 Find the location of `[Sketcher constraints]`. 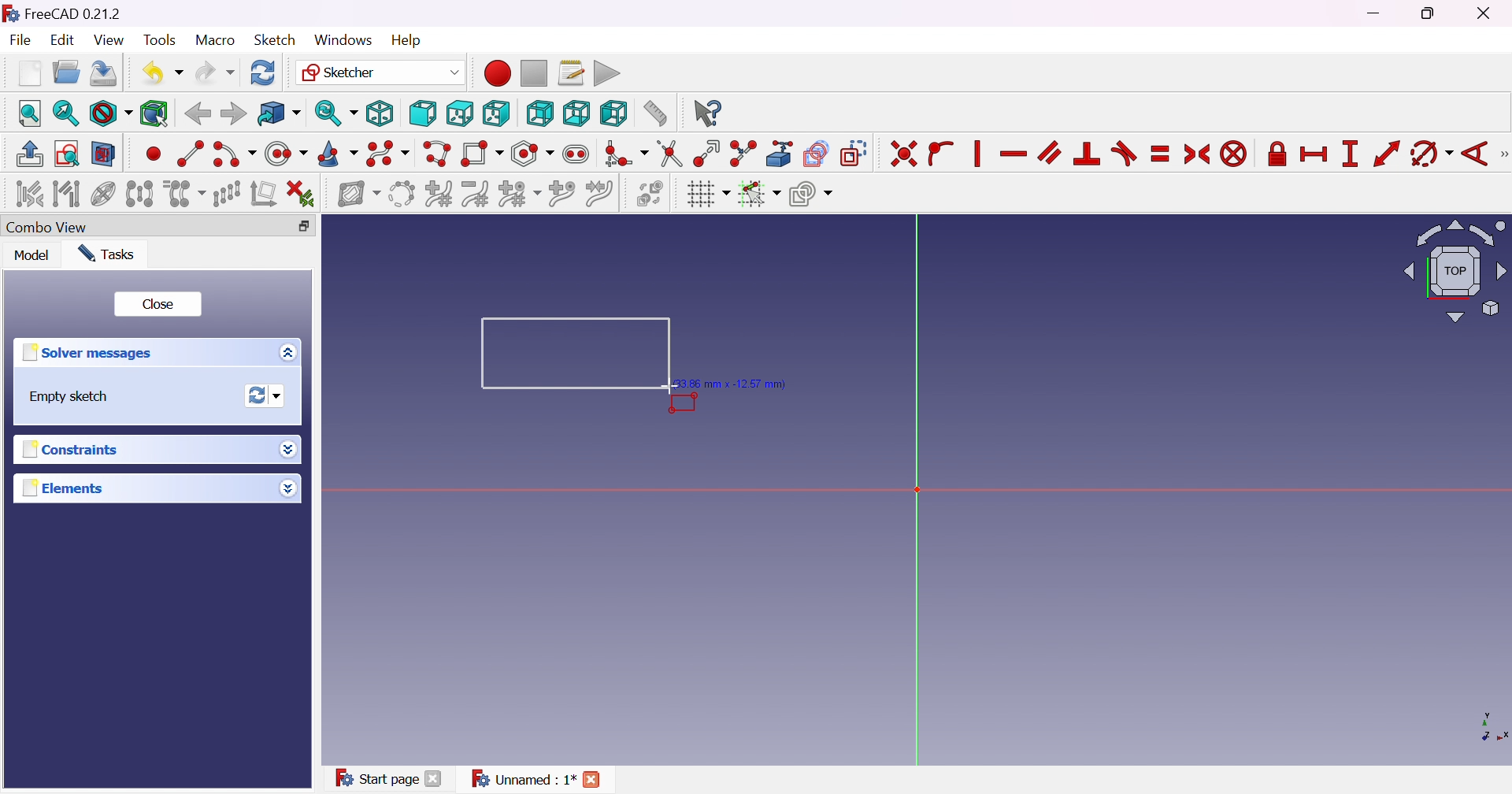

[Sketcher constraints] is located at coordinates (1503, 154).